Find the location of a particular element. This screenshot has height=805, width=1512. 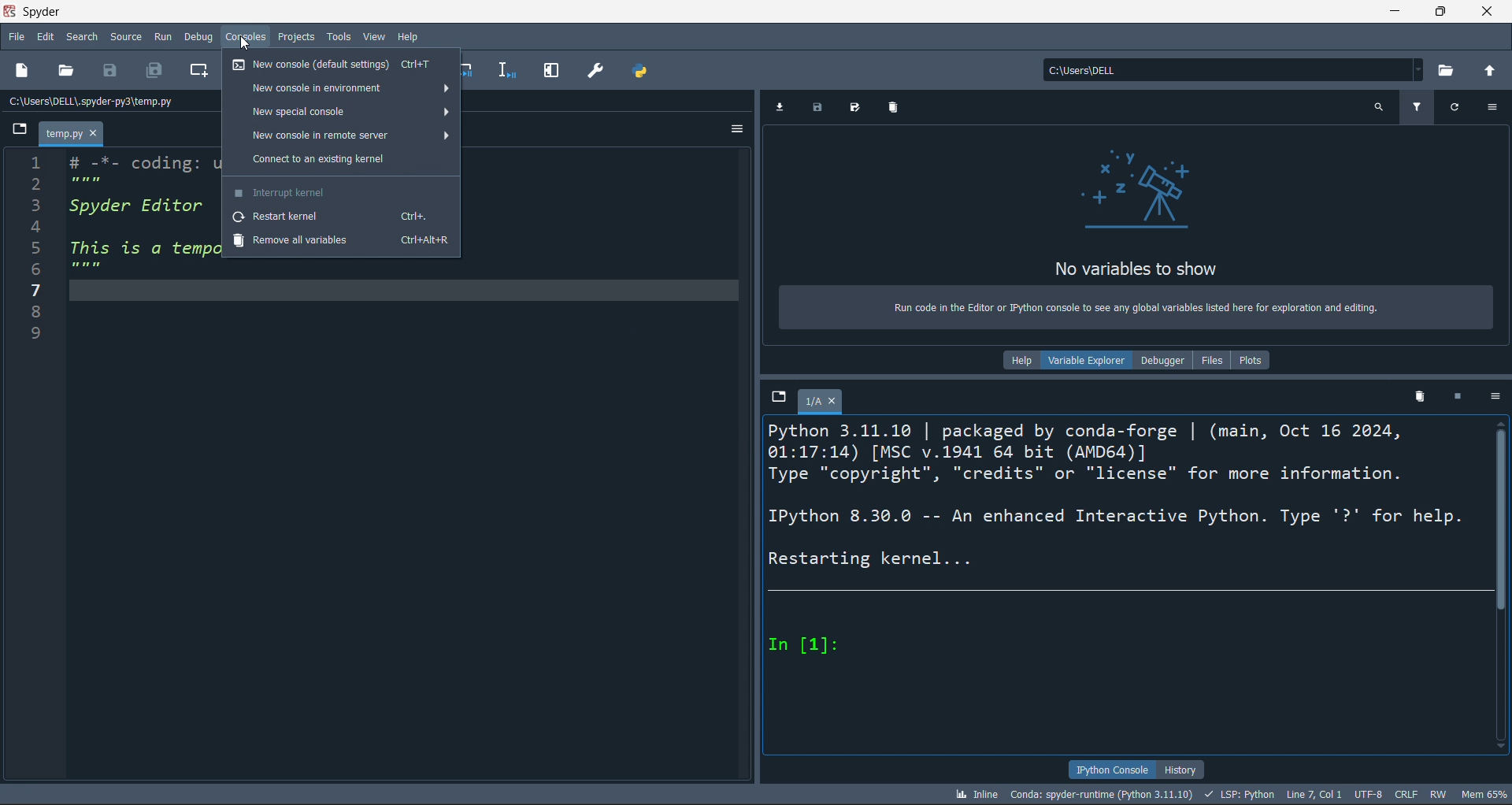

filter variables is located at coordinates (1414, 109).